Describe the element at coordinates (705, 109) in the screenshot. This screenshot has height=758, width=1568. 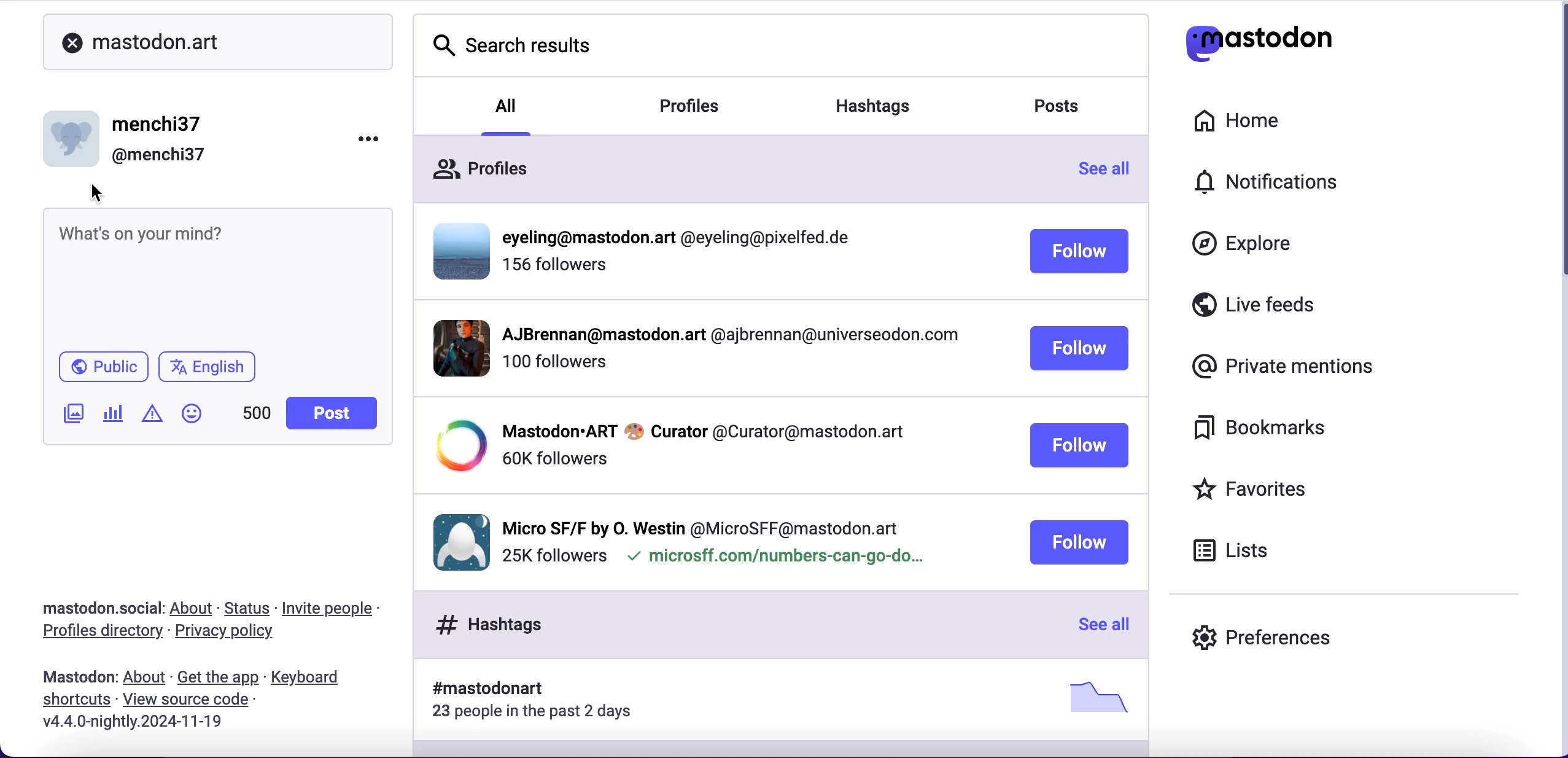
I see `profiles` at that location.